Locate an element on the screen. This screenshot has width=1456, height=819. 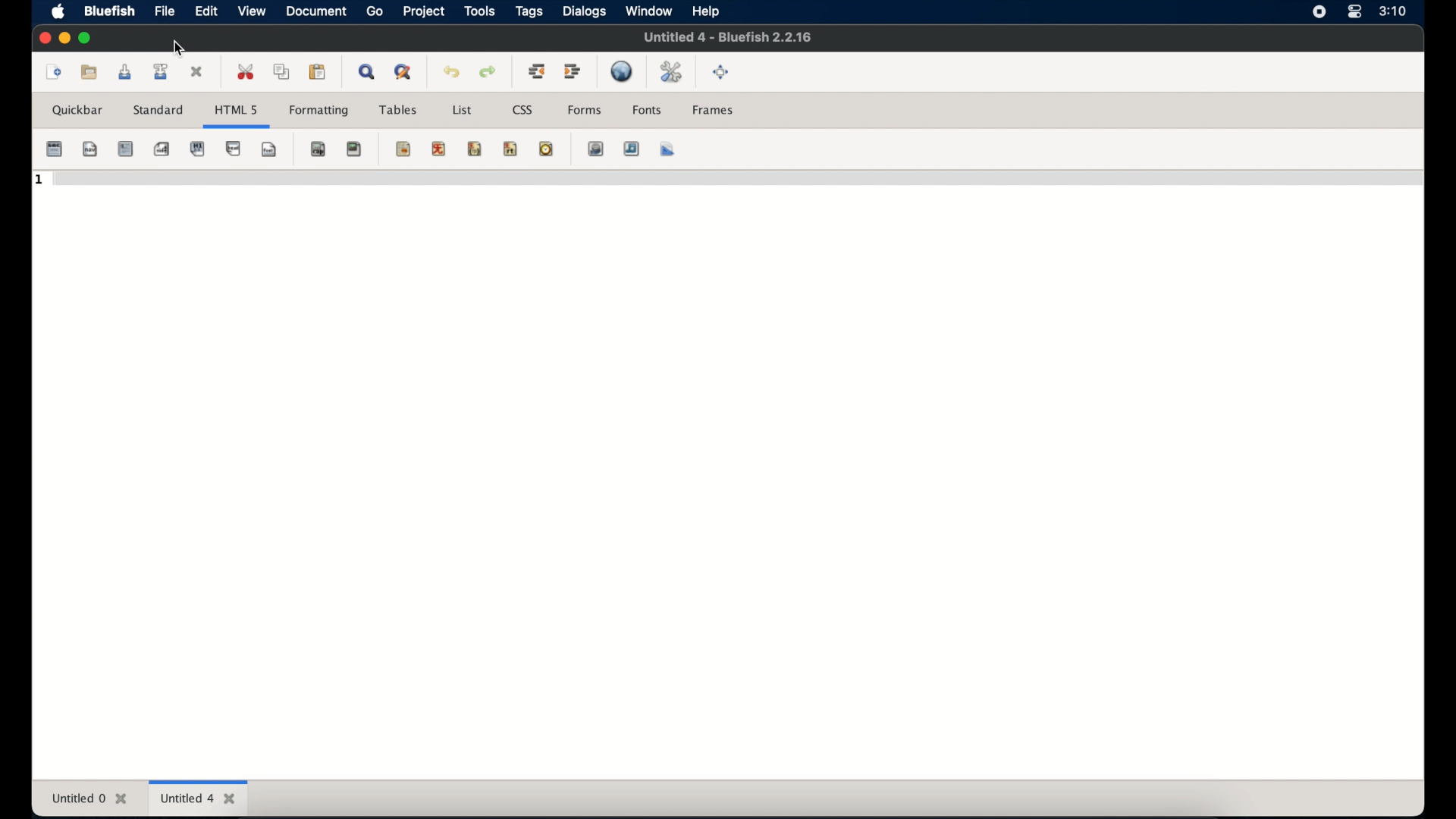
css is located at coordinates (523, 110).